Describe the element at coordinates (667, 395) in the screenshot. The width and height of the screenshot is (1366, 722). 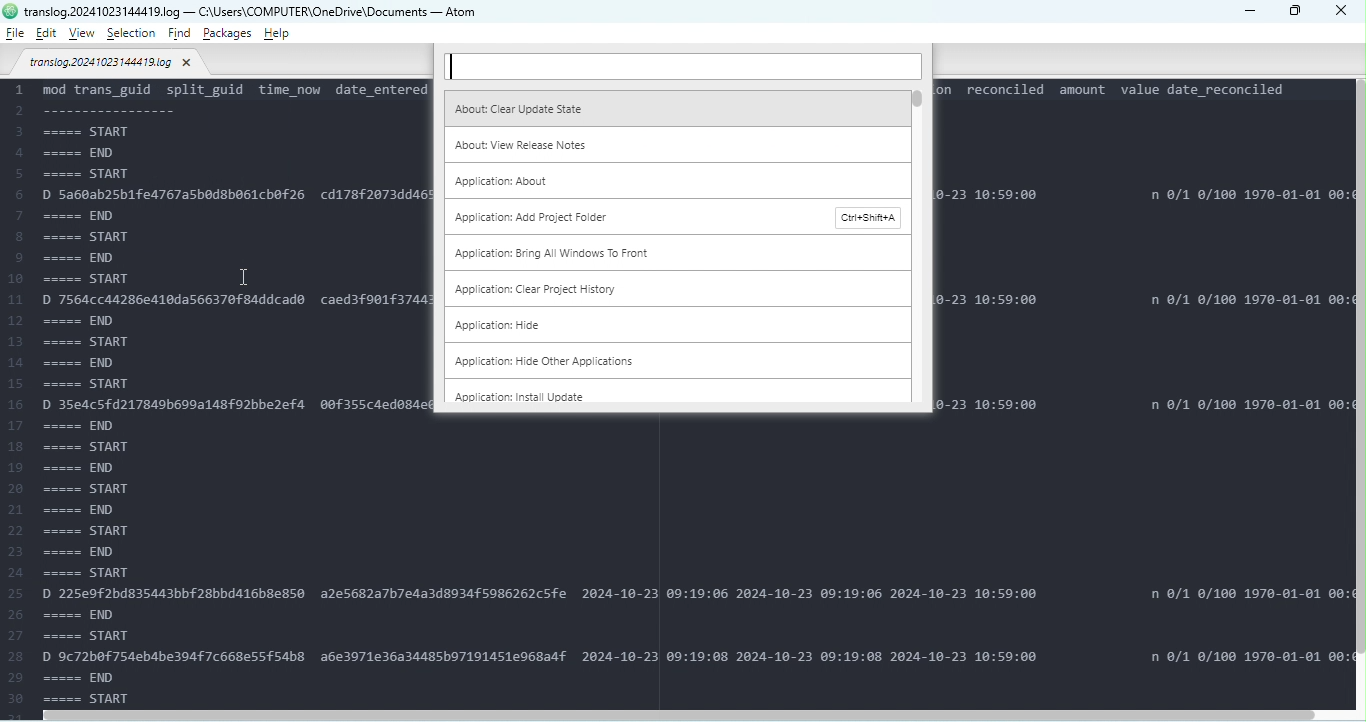
I see `Application: Install update` at that location.